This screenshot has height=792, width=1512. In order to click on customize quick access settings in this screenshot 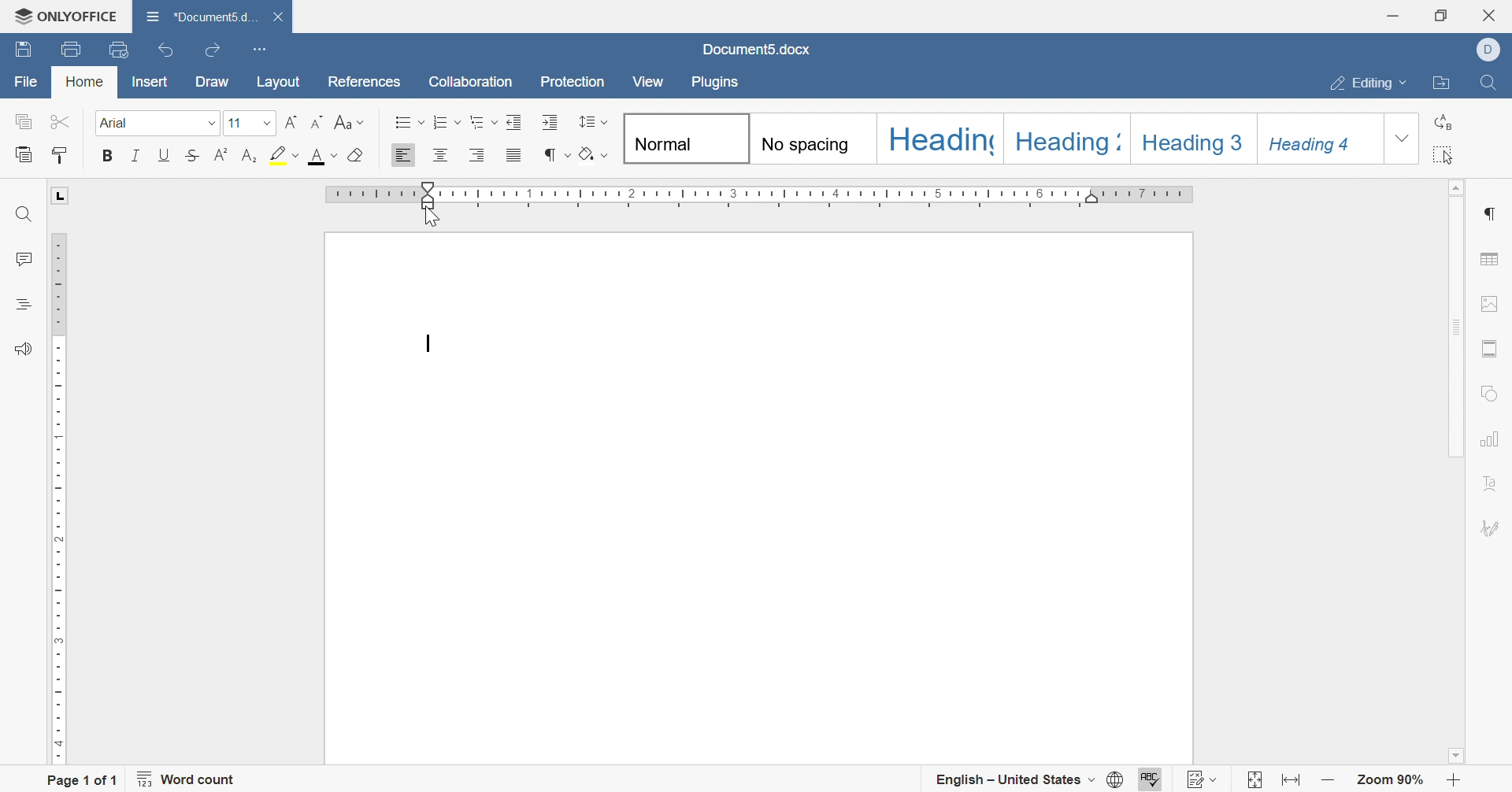, I will do `click(261, 47)`.